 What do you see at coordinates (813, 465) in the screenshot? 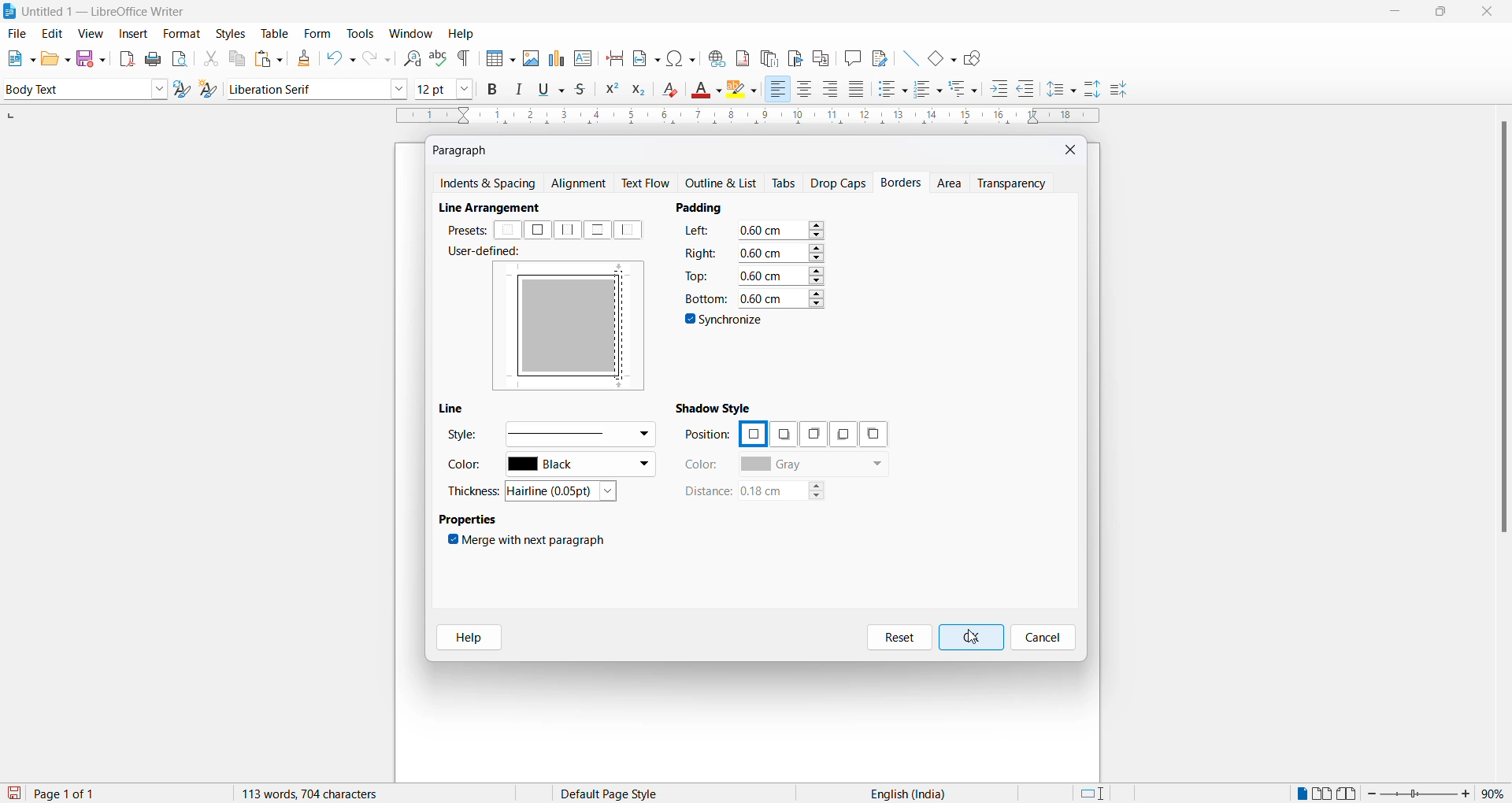
I see `color options` at bounding box center [813, 465].